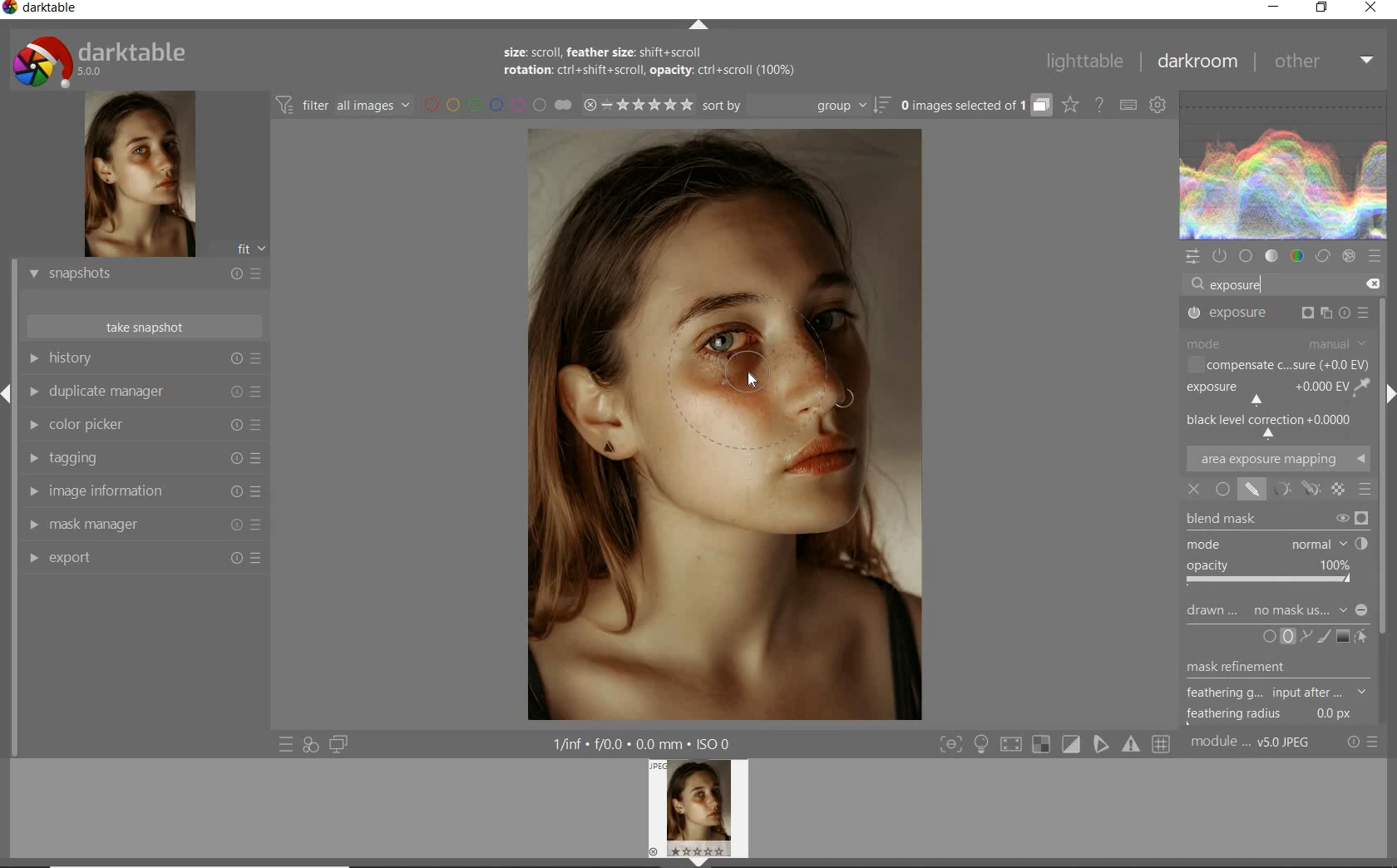 This screenshot has height=868, width=1397. Describe the element at coordinates (698, 27) in the screenshot. I see `expand/collapse` at that location.